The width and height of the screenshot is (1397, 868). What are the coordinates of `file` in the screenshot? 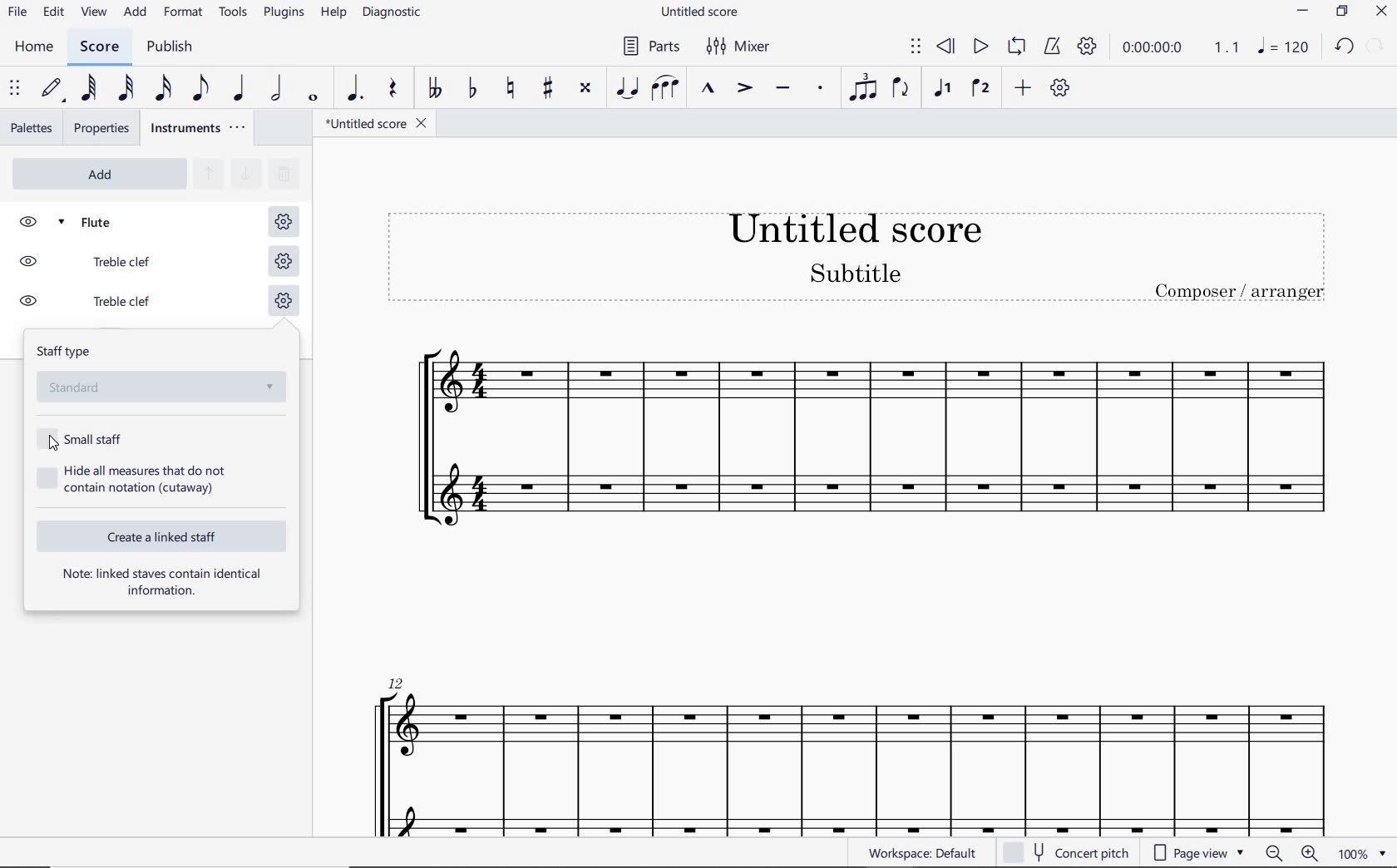 It's located at (18, 16).